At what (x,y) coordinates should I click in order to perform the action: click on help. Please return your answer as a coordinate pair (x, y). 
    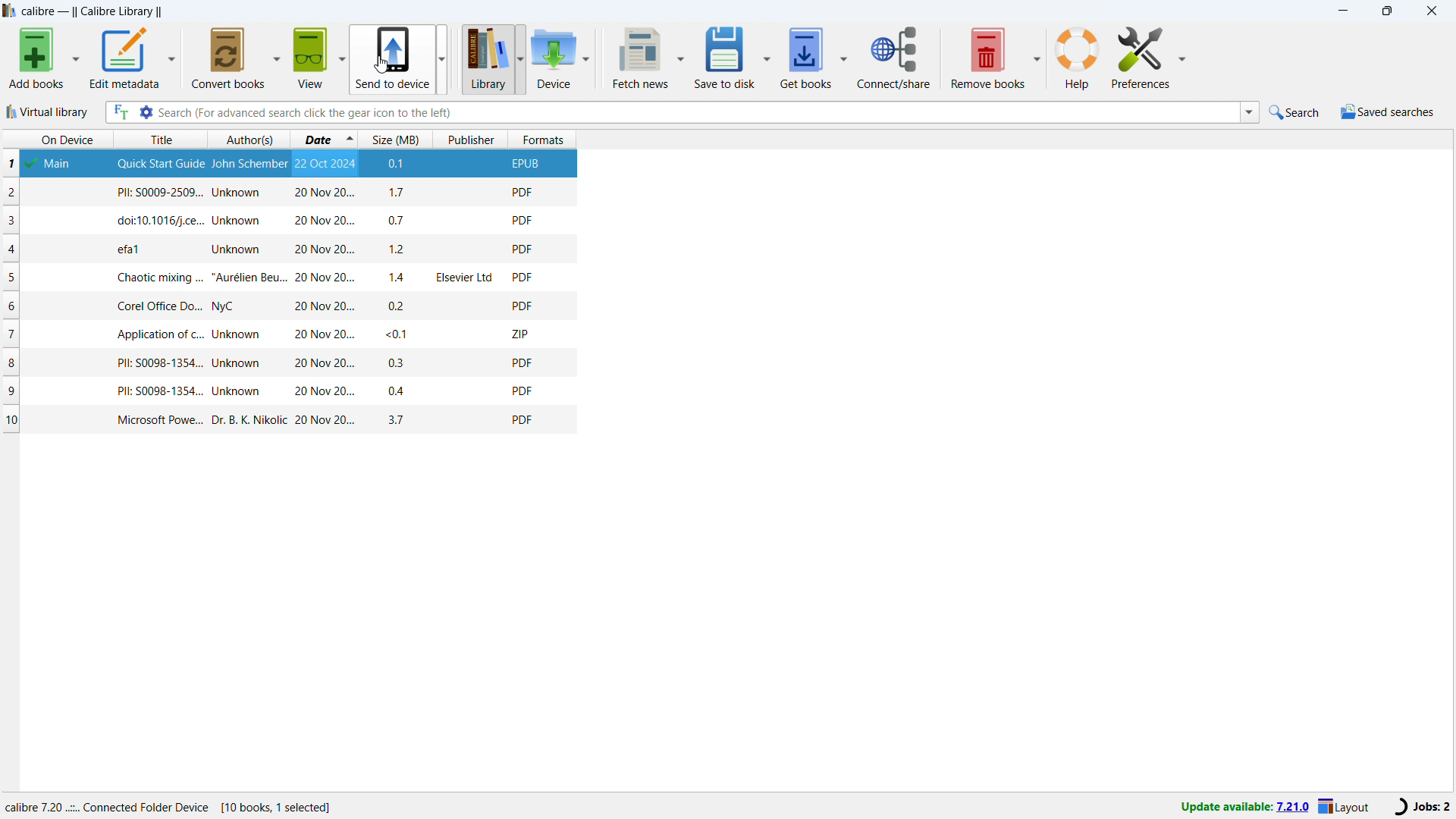
    Looking at the image, I should click on (1078, 58).